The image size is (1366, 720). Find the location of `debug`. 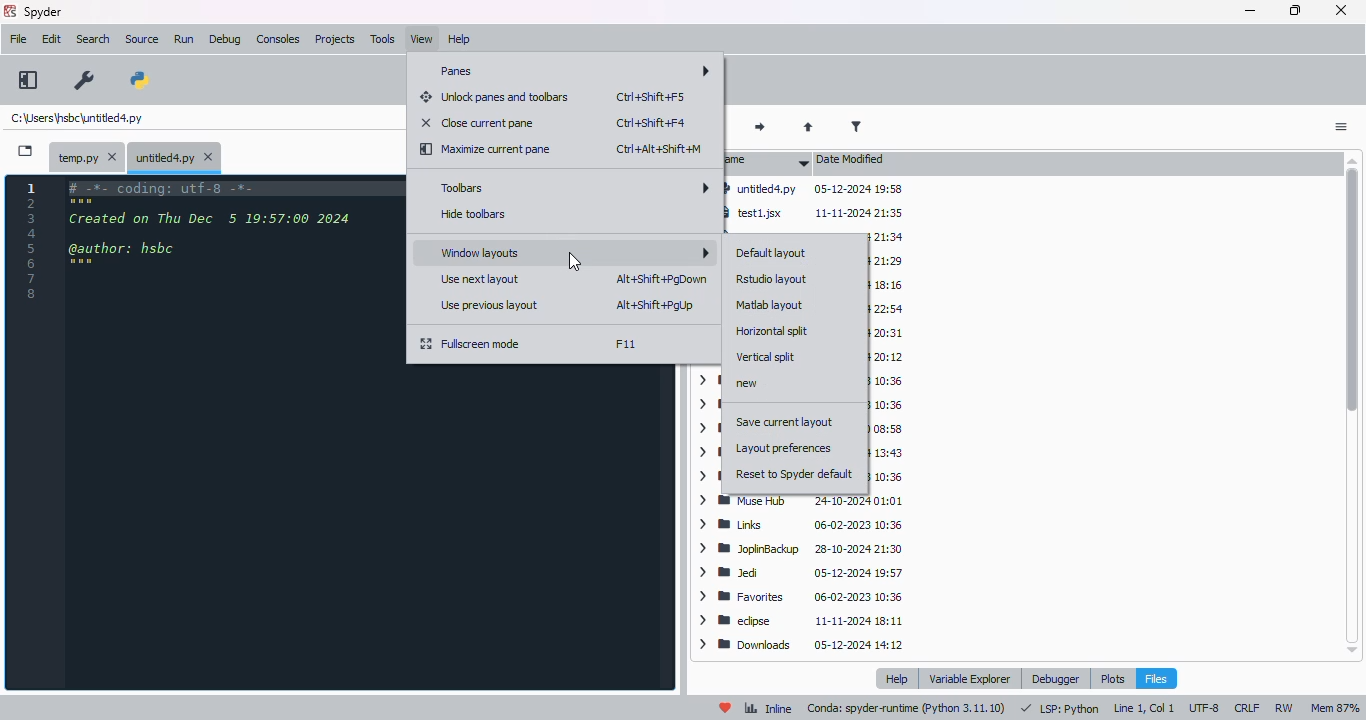

debug is located at coordinates (225, 40).